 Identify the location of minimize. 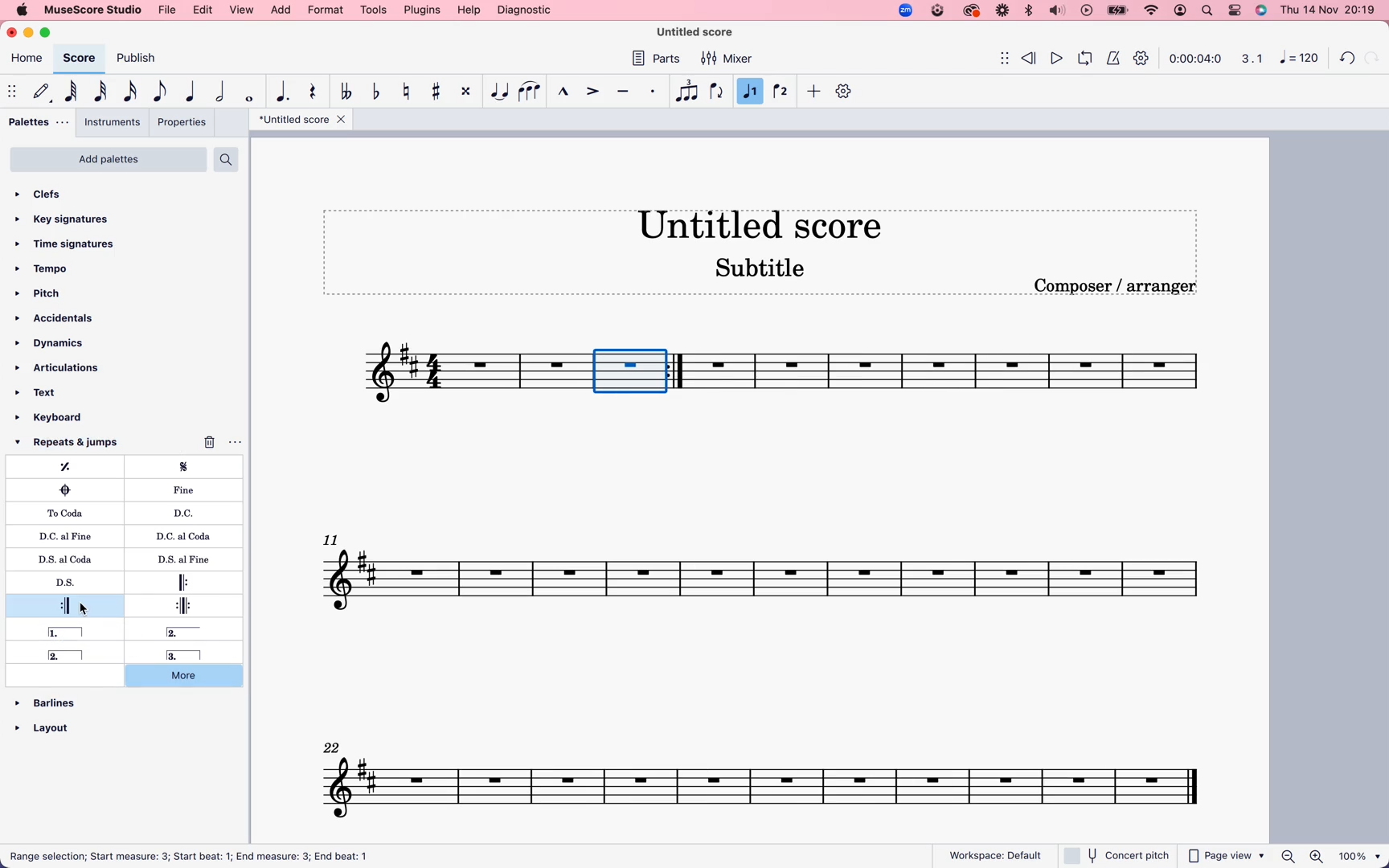
(31, 33).